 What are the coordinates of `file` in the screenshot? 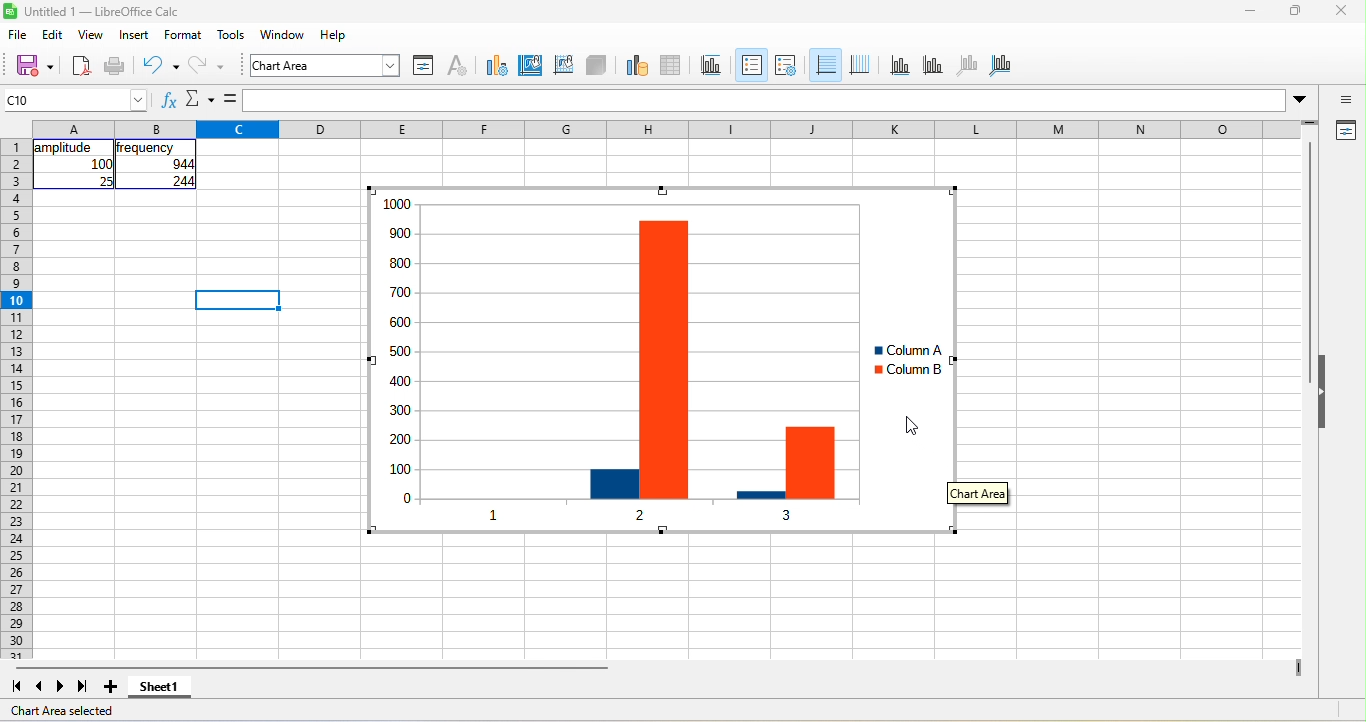 It's located at (18, 34).